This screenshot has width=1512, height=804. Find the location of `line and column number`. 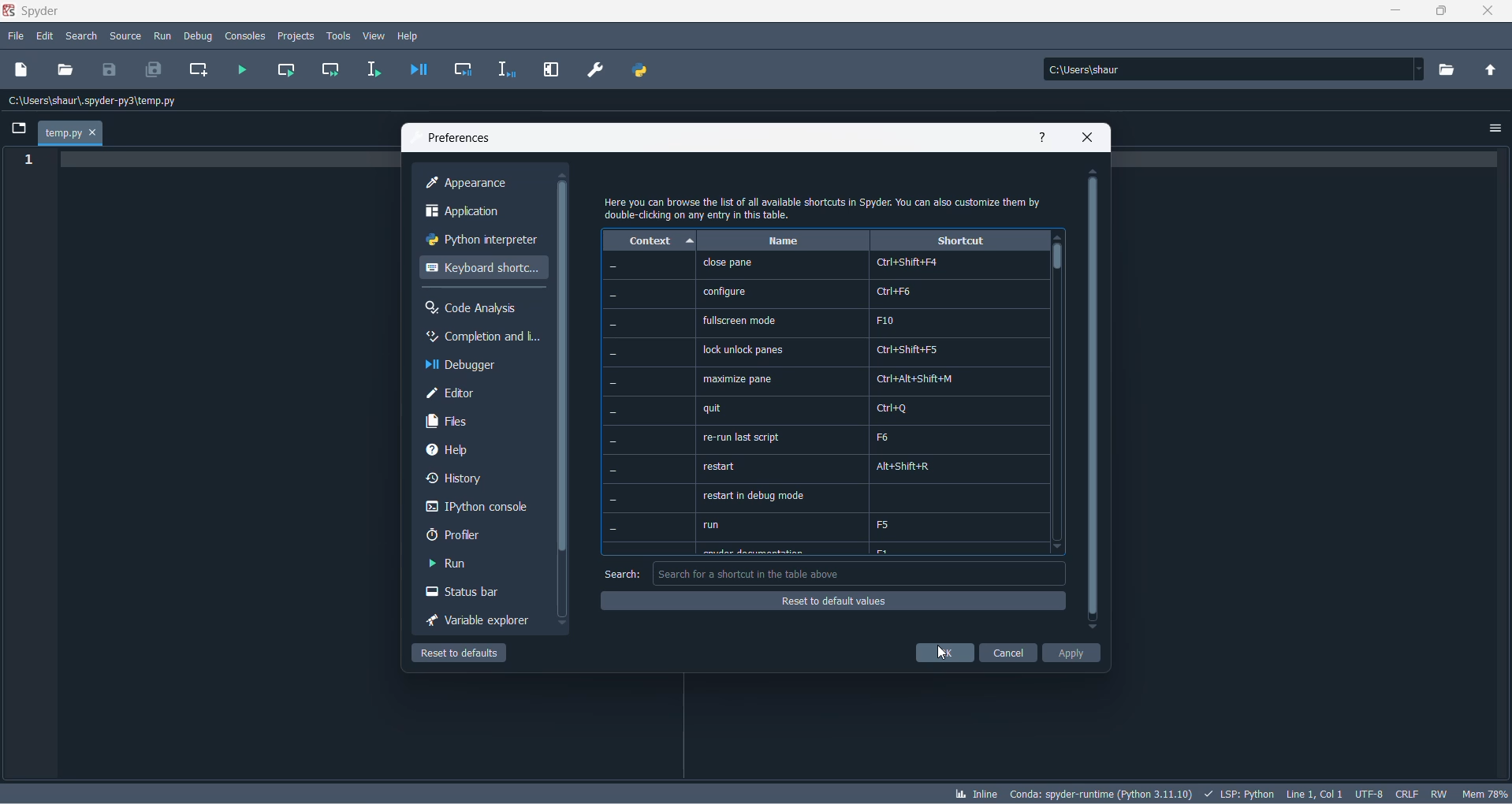

line and column number is located at coordinates (1315, 791).